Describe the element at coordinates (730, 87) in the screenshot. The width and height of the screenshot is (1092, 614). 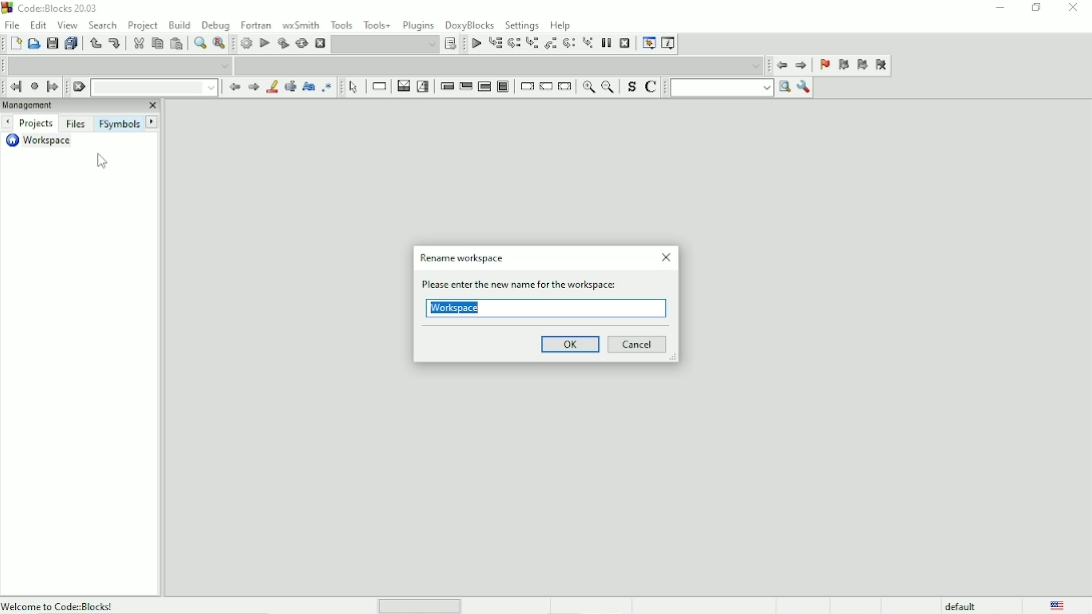
I see `Run search` at that location.